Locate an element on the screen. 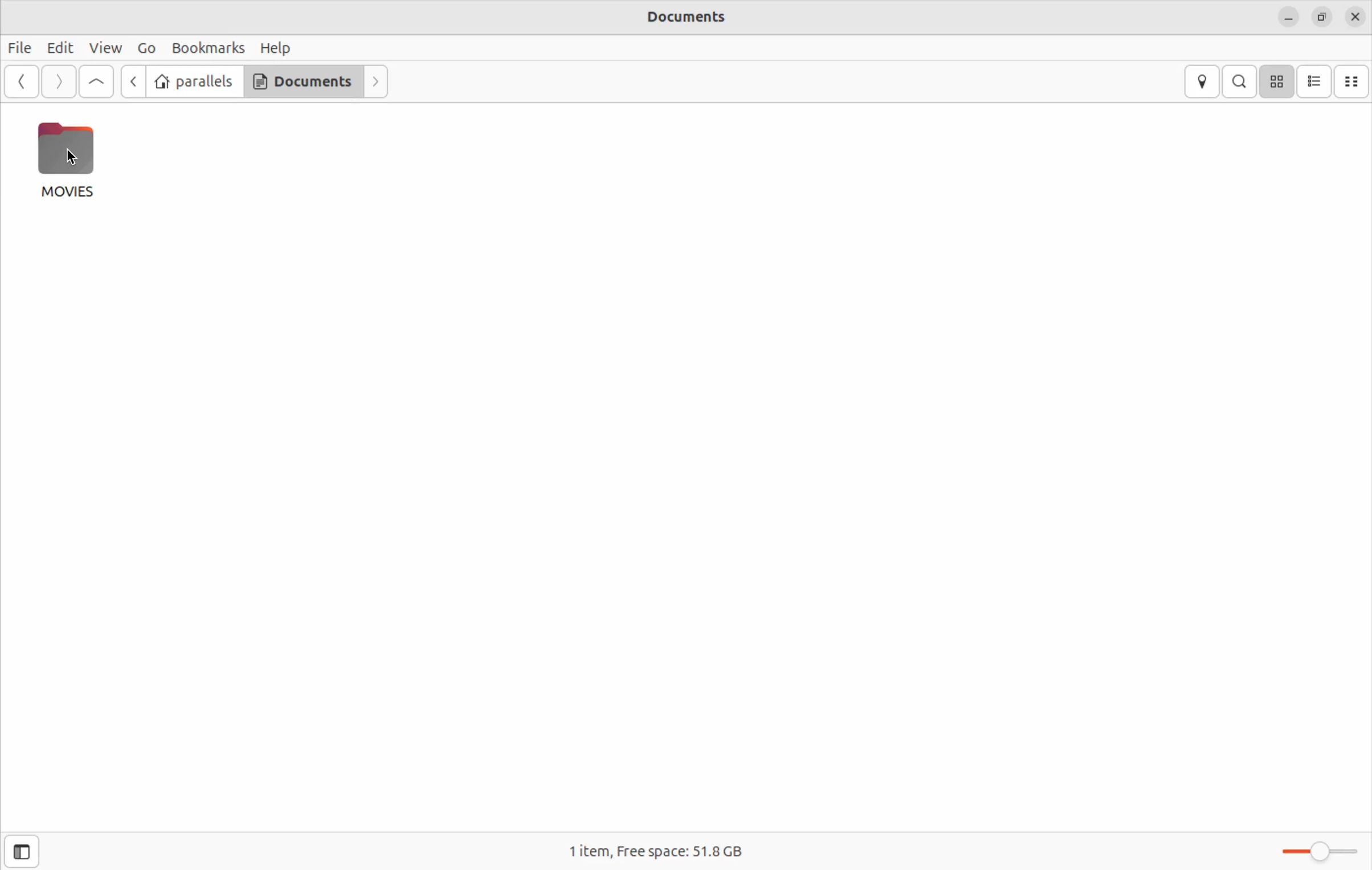 The width and height of the screenshot is (1372, 870). view is located at coordinates (108, 49).